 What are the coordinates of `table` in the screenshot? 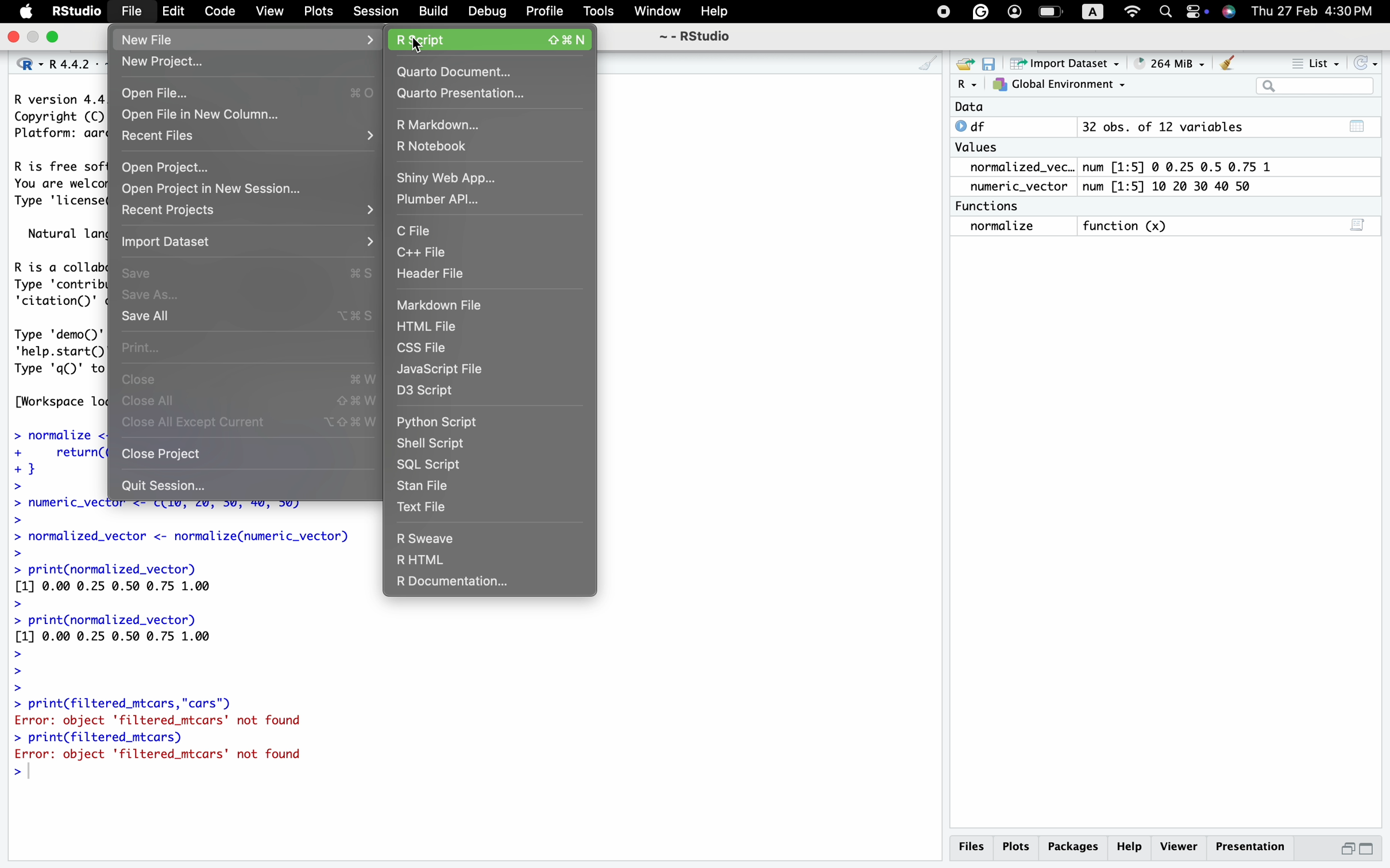 It's located at (1360, 125).